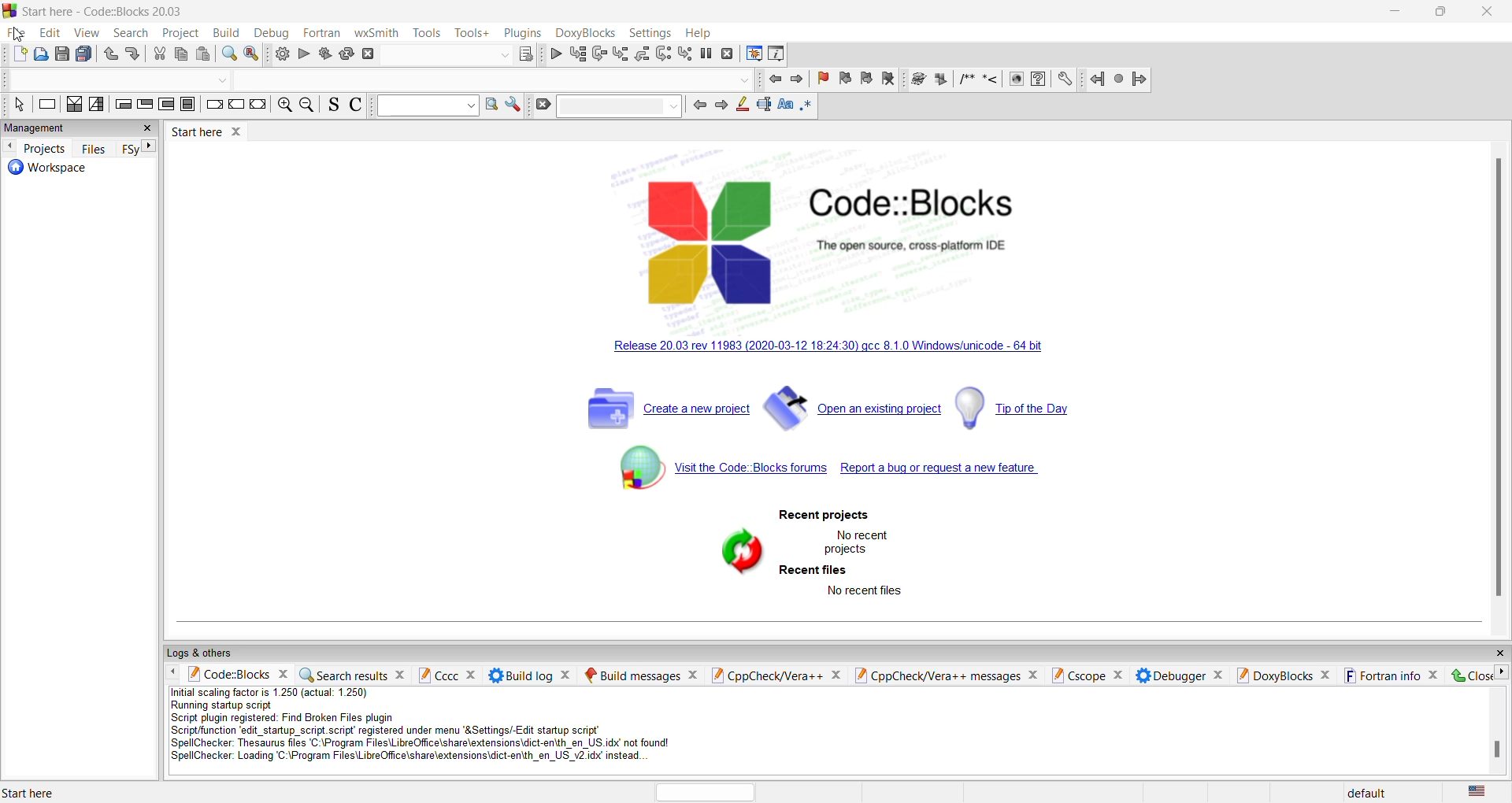 The image size is (1512, 803). What do you see at coordinates (743, 80) in the screenshot?
I see `not clickable dropdown` at bounding box center [743, 80].